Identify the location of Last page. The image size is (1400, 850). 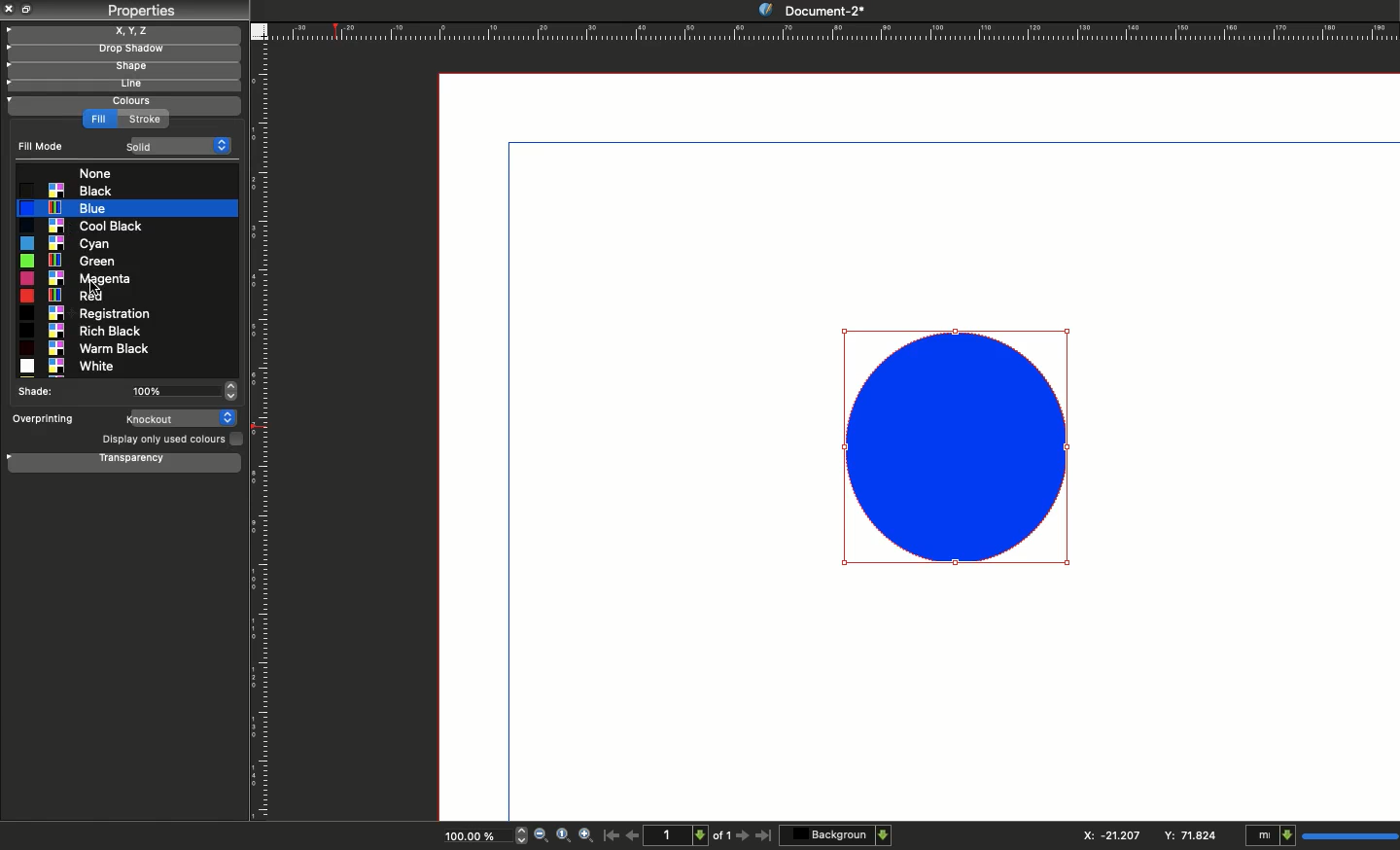
(764, 836).